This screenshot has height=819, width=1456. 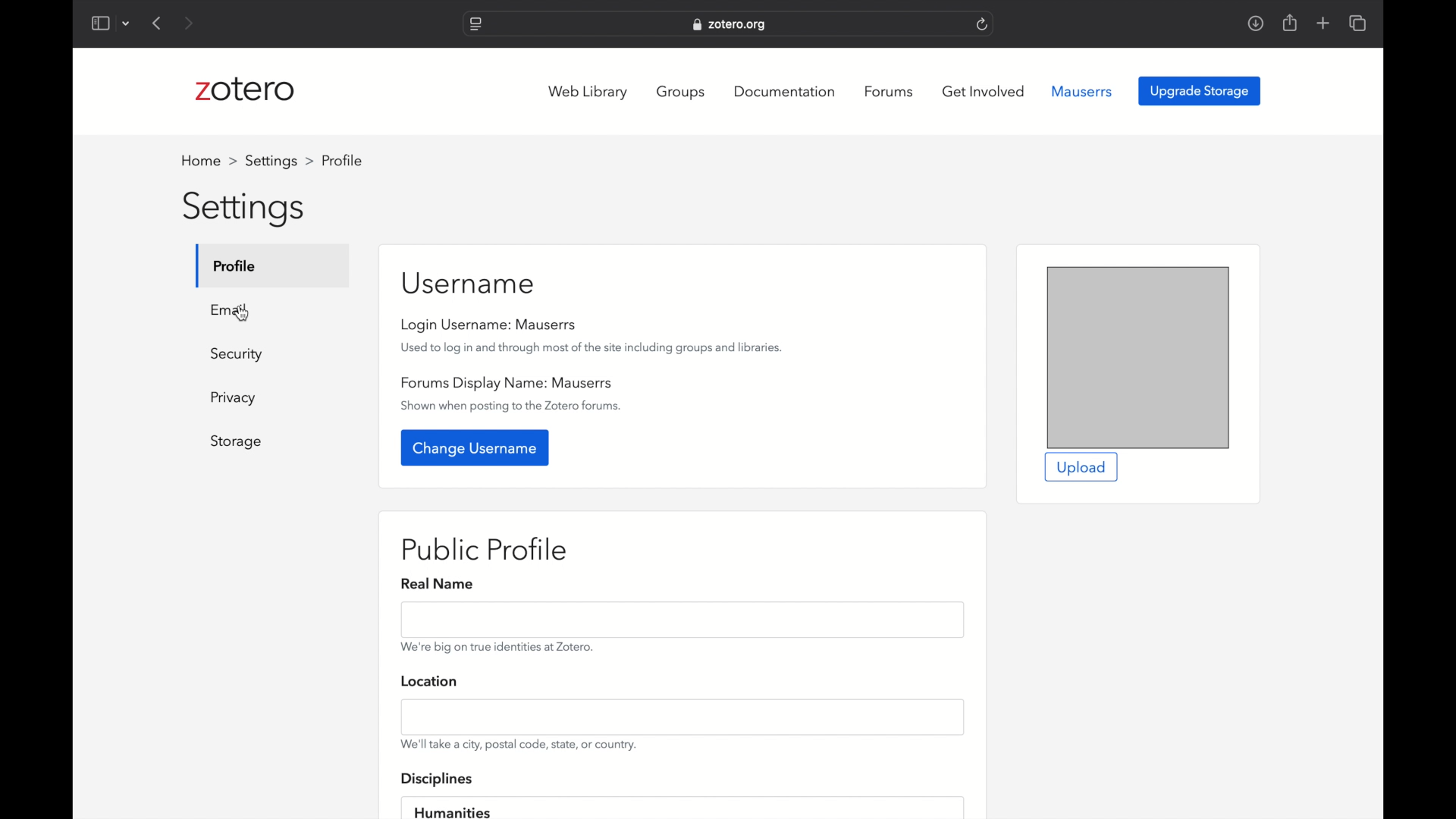 I want to click on real name, so click(x=437, y=585).